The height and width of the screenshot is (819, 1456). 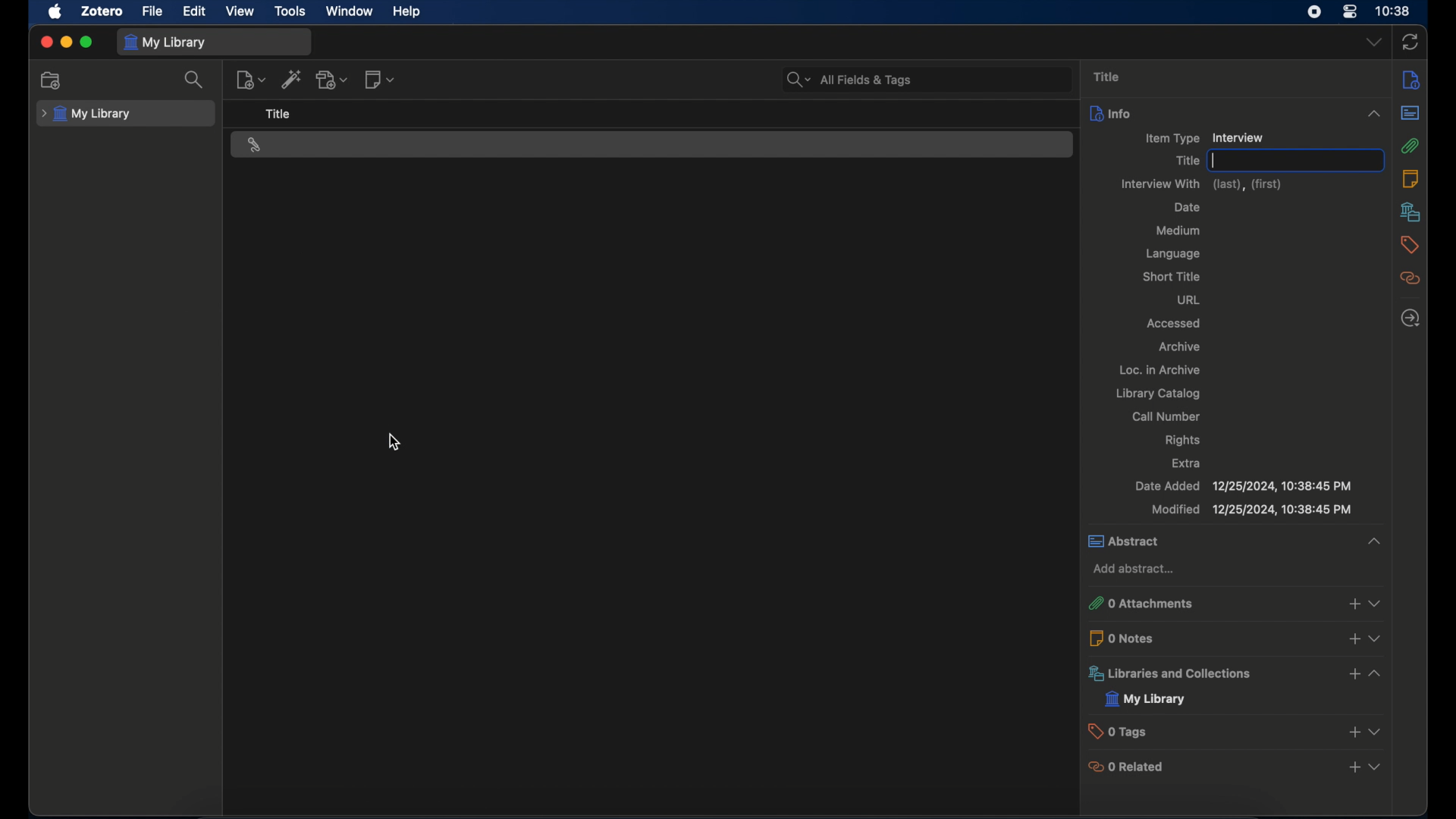 What do you see at coordinates (1237, 137) in the screenshot?
I see `interview` at bounding box center [1237, 137].